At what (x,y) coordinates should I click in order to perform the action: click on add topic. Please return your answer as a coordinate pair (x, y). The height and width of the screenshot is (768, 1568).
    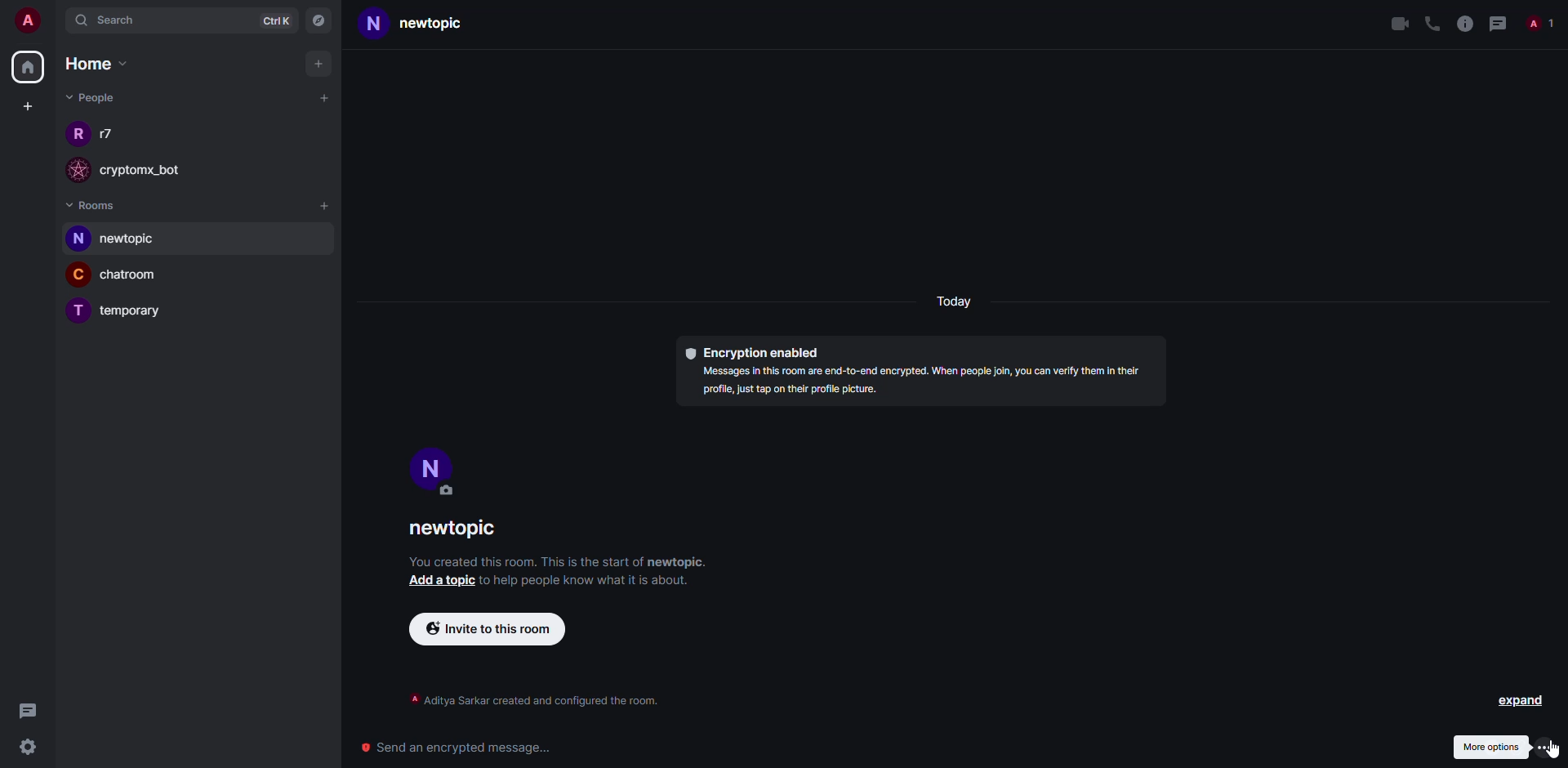
    Looking at the image, I should click on (442, 581).